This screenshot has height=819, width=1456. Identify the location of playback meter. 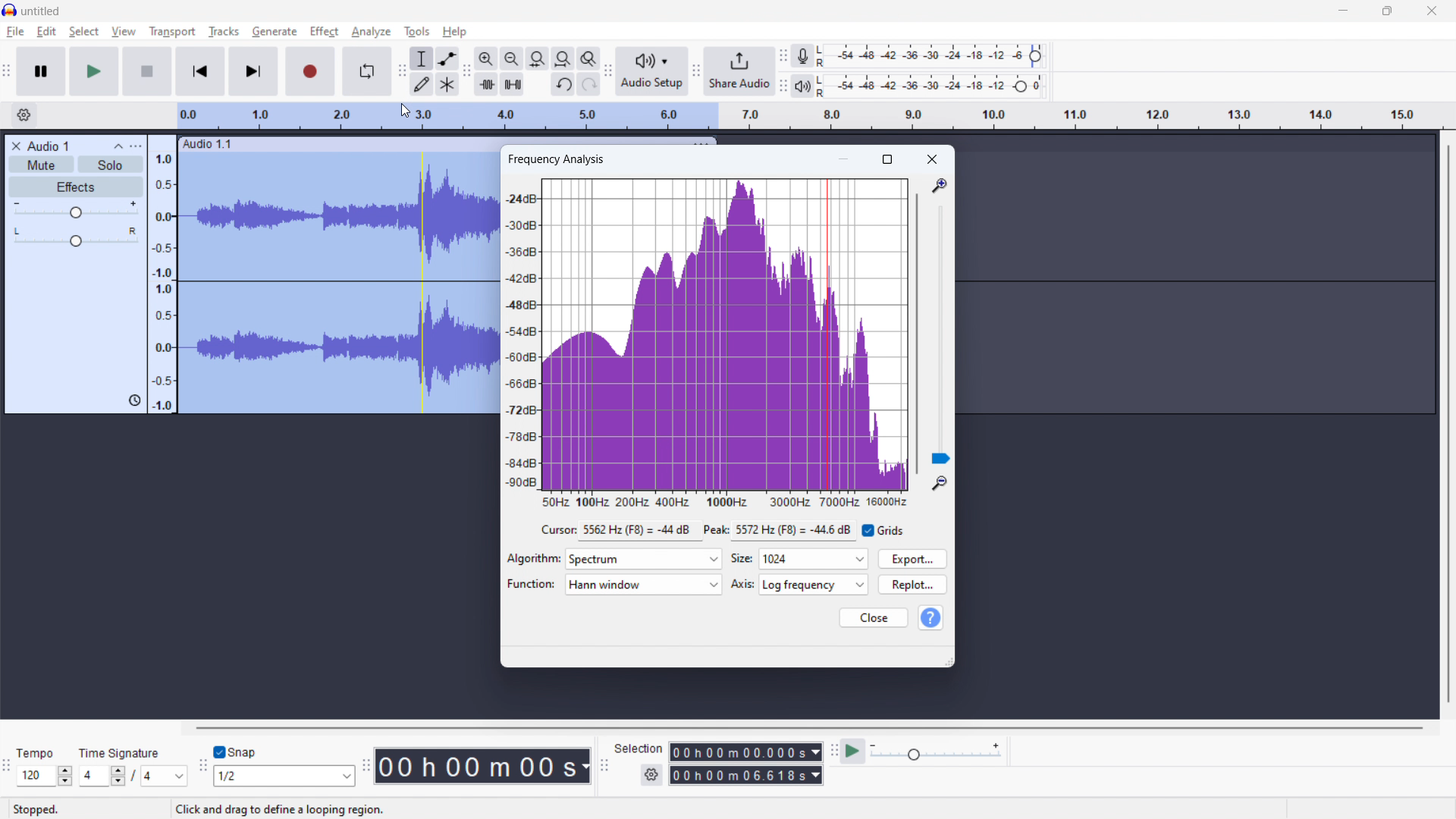
(801, 86).